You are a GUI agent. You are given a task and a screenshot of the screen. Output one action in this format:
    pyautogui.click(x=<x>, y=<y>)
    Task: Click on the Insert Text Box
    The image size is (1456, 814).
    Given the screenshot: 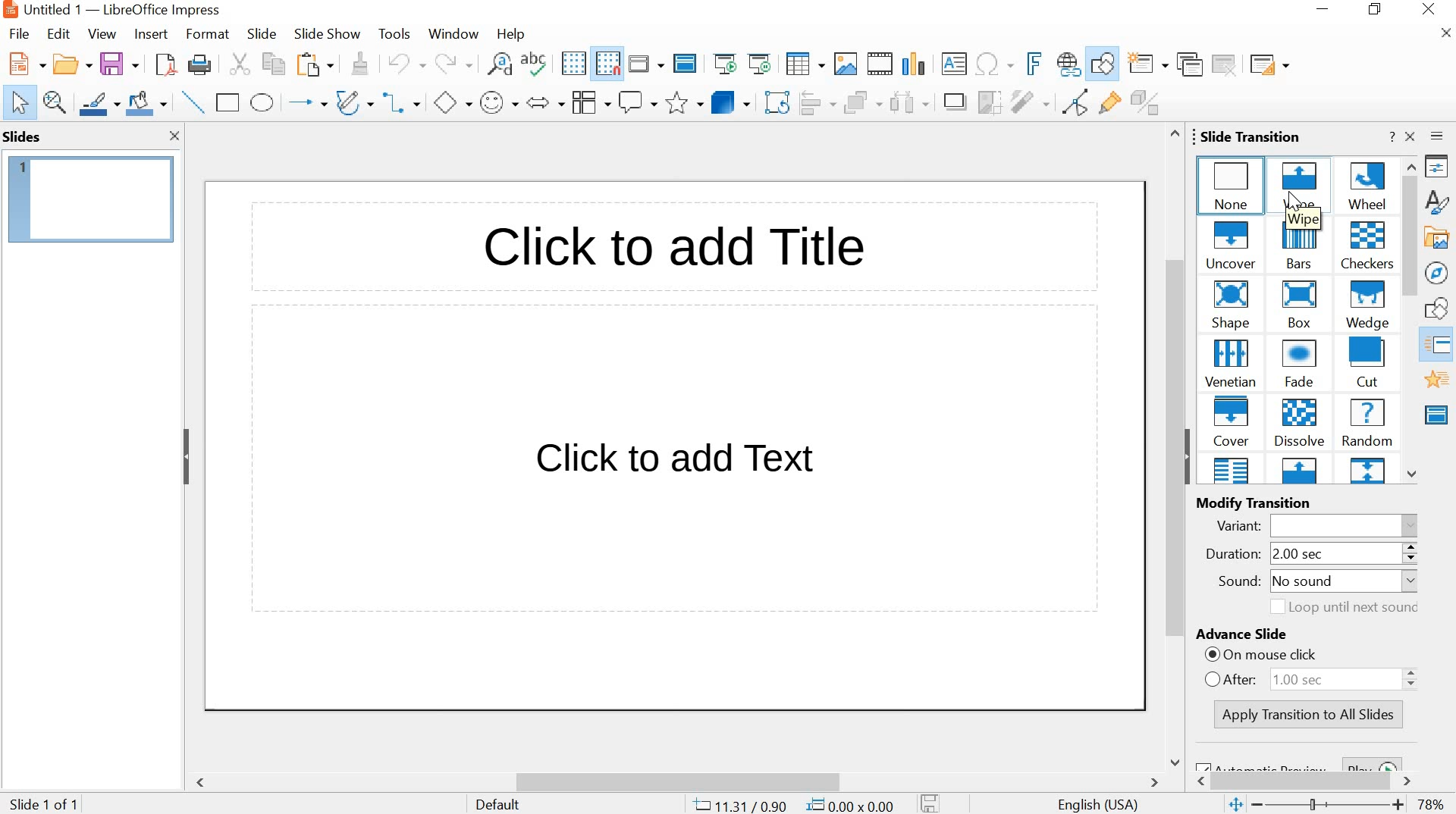 What is the action you would take?
    pyautogui.click(x=954, y=64)
    